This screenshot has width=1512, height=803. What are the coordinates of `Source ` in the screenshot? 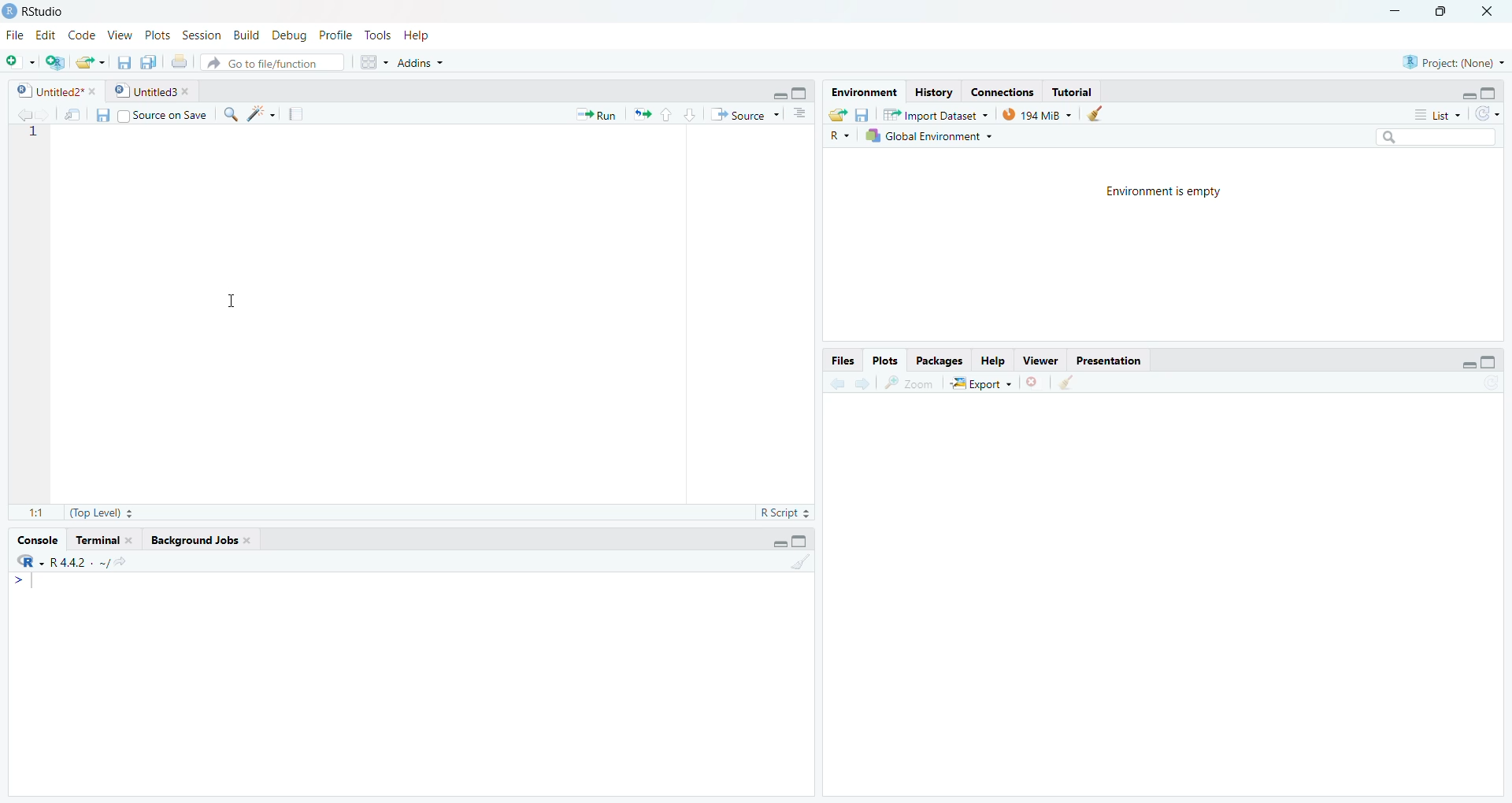 It's located at (746, 115).